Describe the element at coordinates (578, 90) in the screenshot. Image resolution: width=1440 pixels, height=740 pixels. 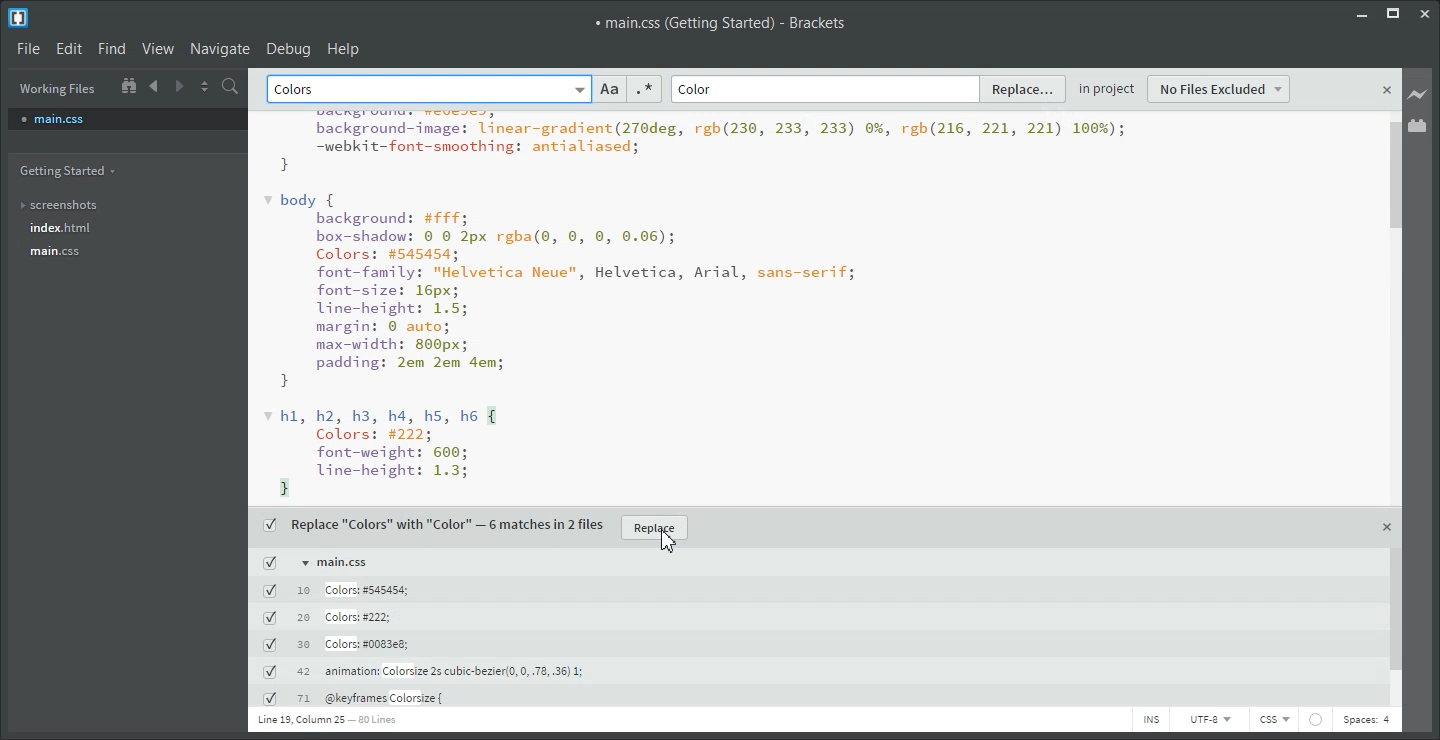
I see `dropdown` at that location.